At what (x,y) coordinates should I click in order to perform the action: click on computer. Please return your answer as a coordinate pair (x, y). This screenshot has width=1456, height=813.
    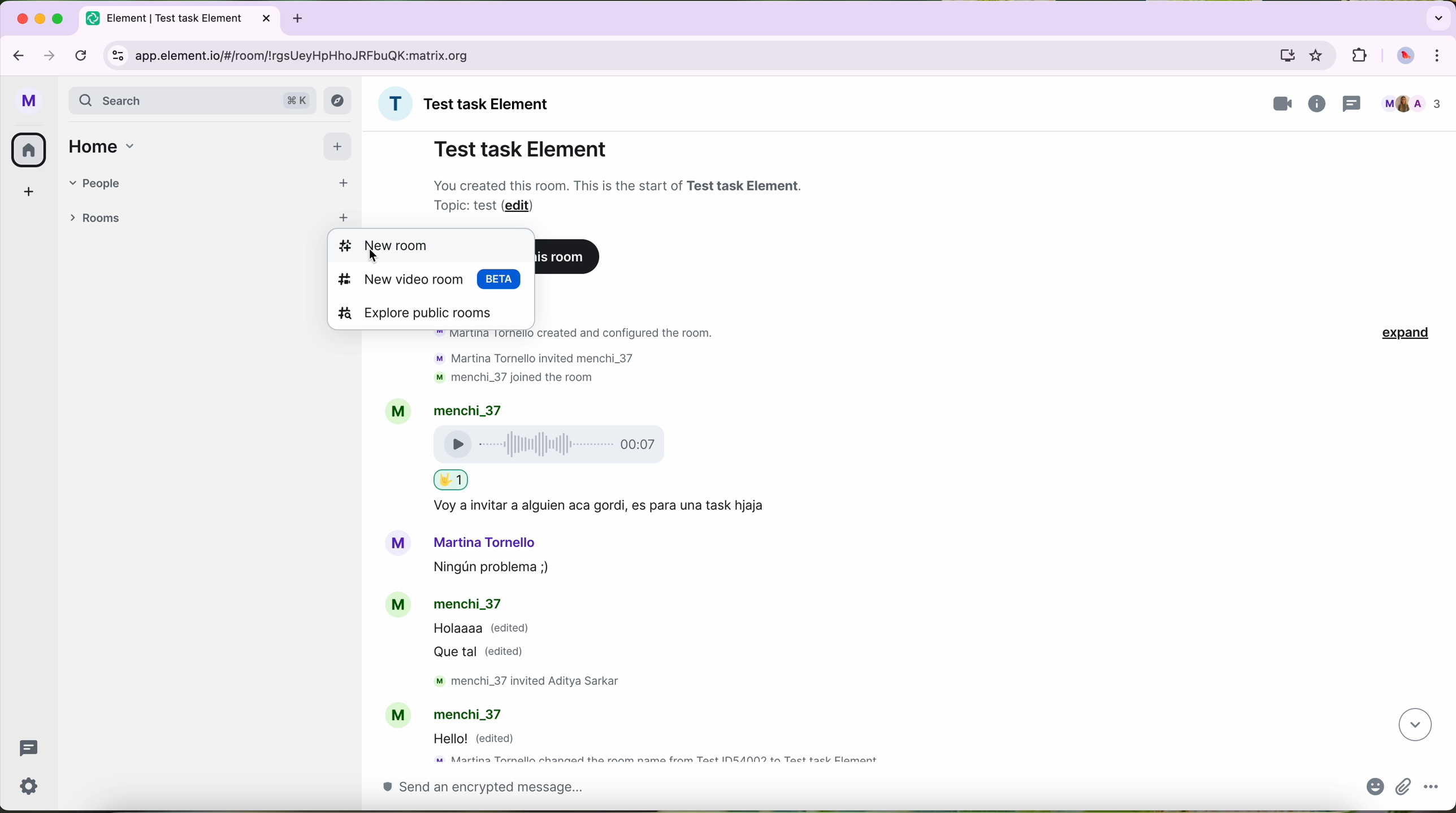
    Looking at the image, I should click on (1286, 55).